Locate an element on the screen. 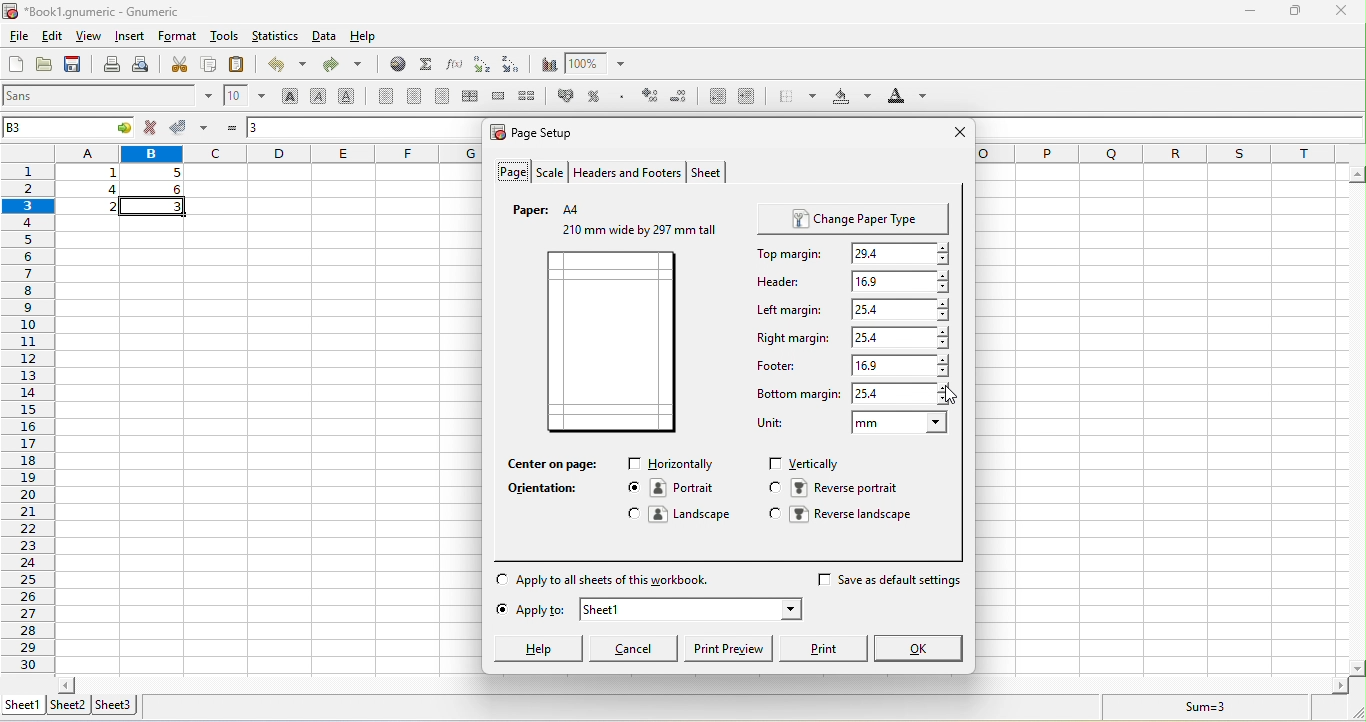 The height and width of the screenshot is (722, 1366). sum is located at coordinates (426, 64).